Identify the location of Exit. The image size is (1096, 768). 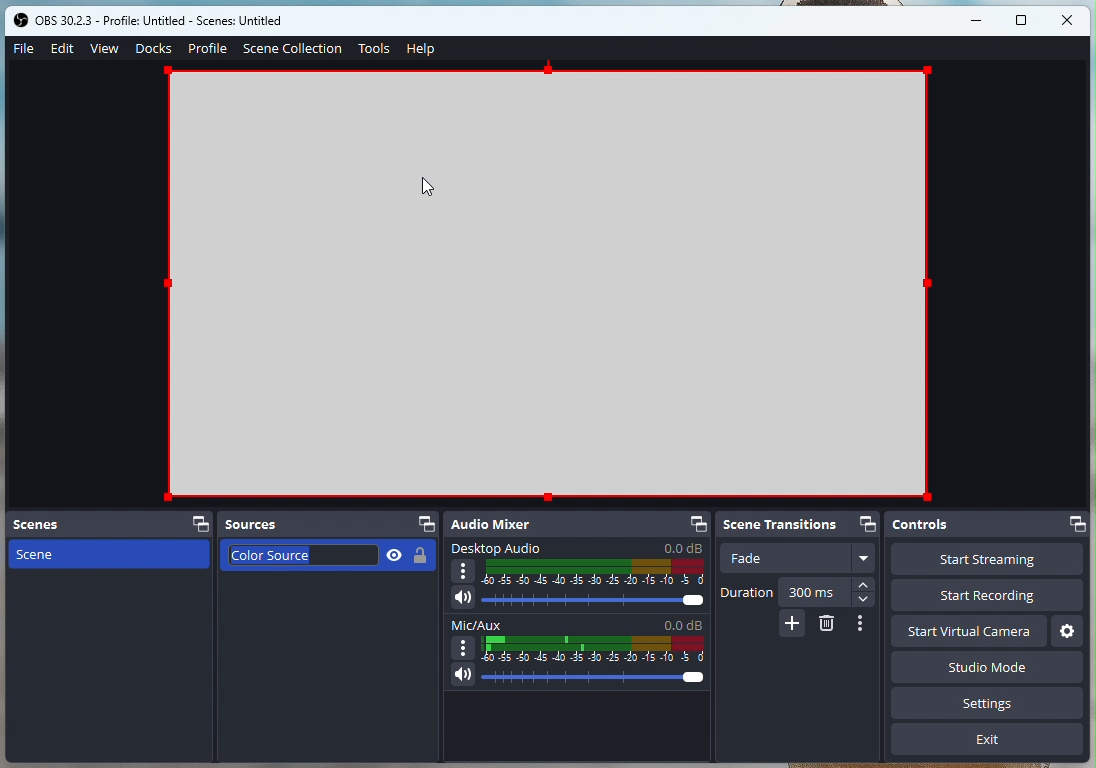
(987, 743).